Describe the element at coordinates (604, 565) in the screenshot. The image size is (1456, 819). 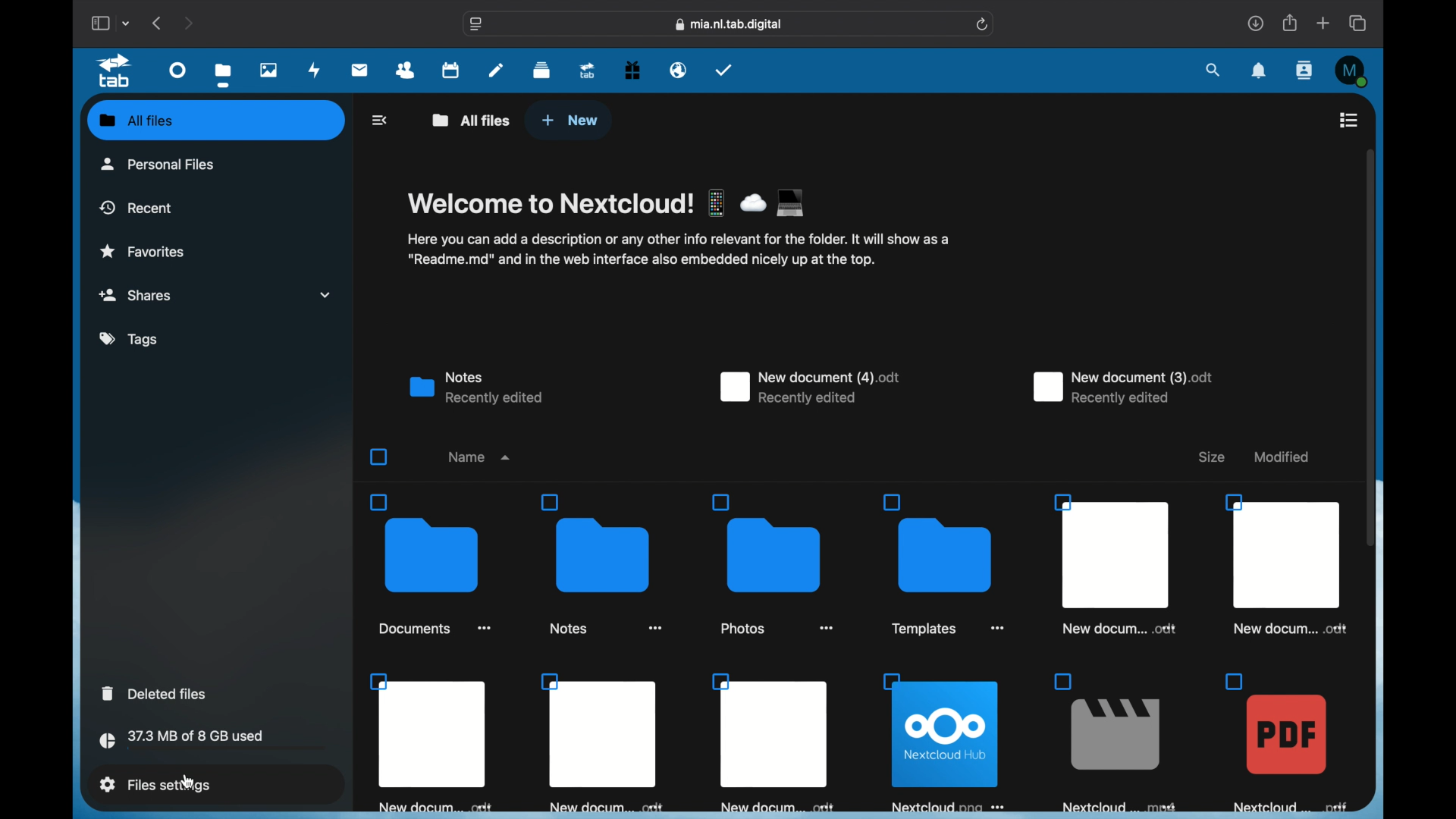
I see `folder` at that location.